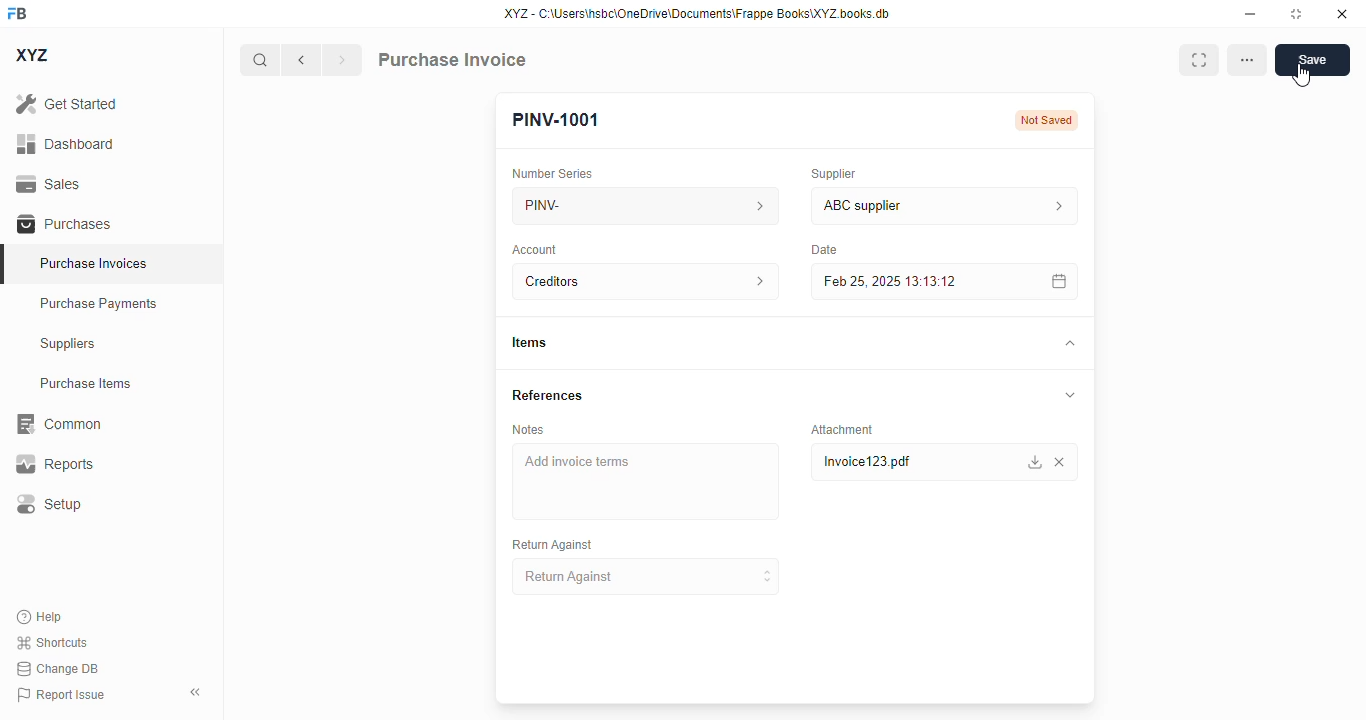 The image size is (1366, 720). What do you see at coordinates (68, 103) in the screenshot?
I see `get started` at bounding box center [68, 103].